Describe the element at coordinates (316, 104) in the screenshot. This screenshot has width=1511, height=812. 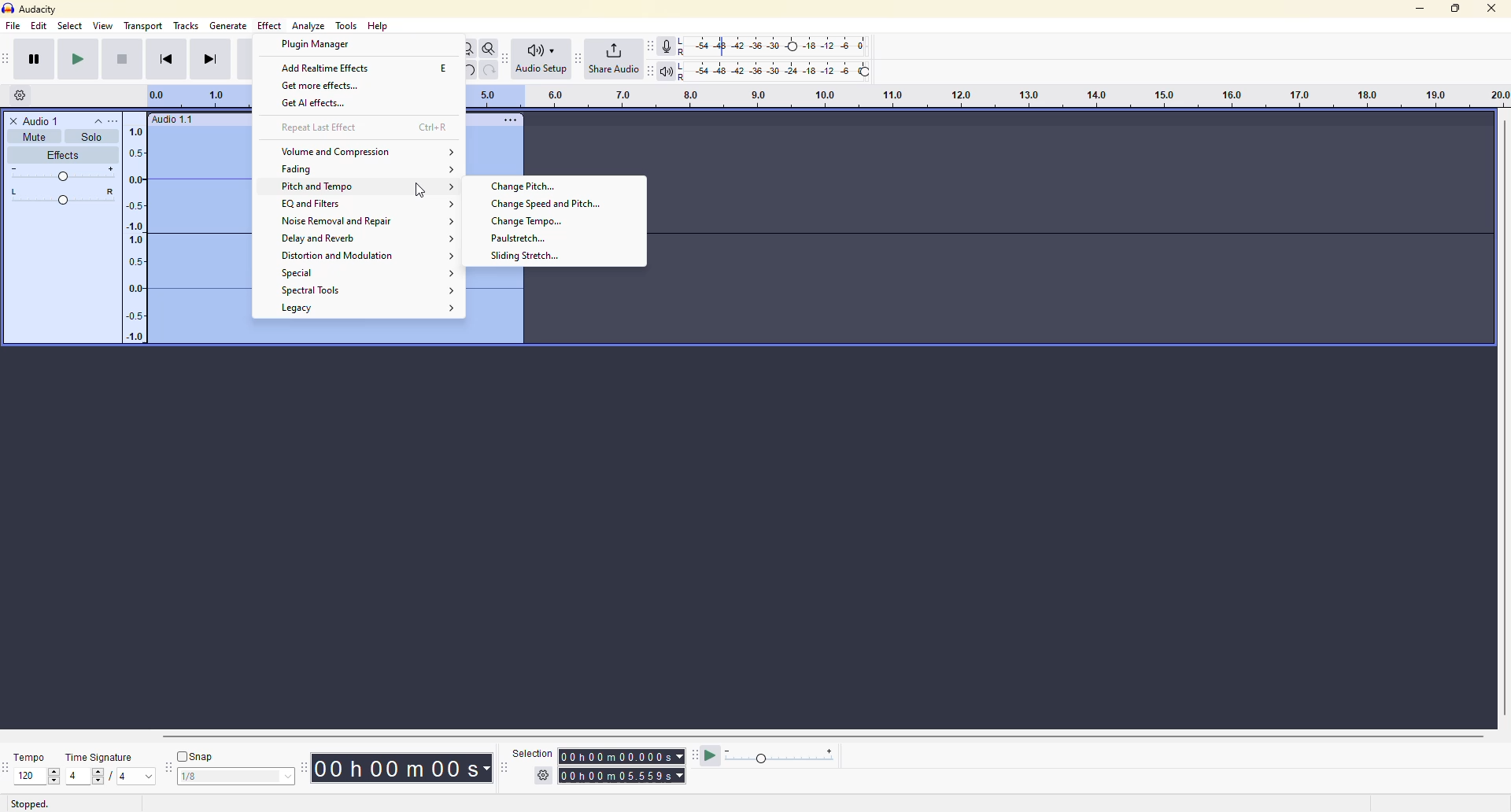
I see `get ai effects` at that location.